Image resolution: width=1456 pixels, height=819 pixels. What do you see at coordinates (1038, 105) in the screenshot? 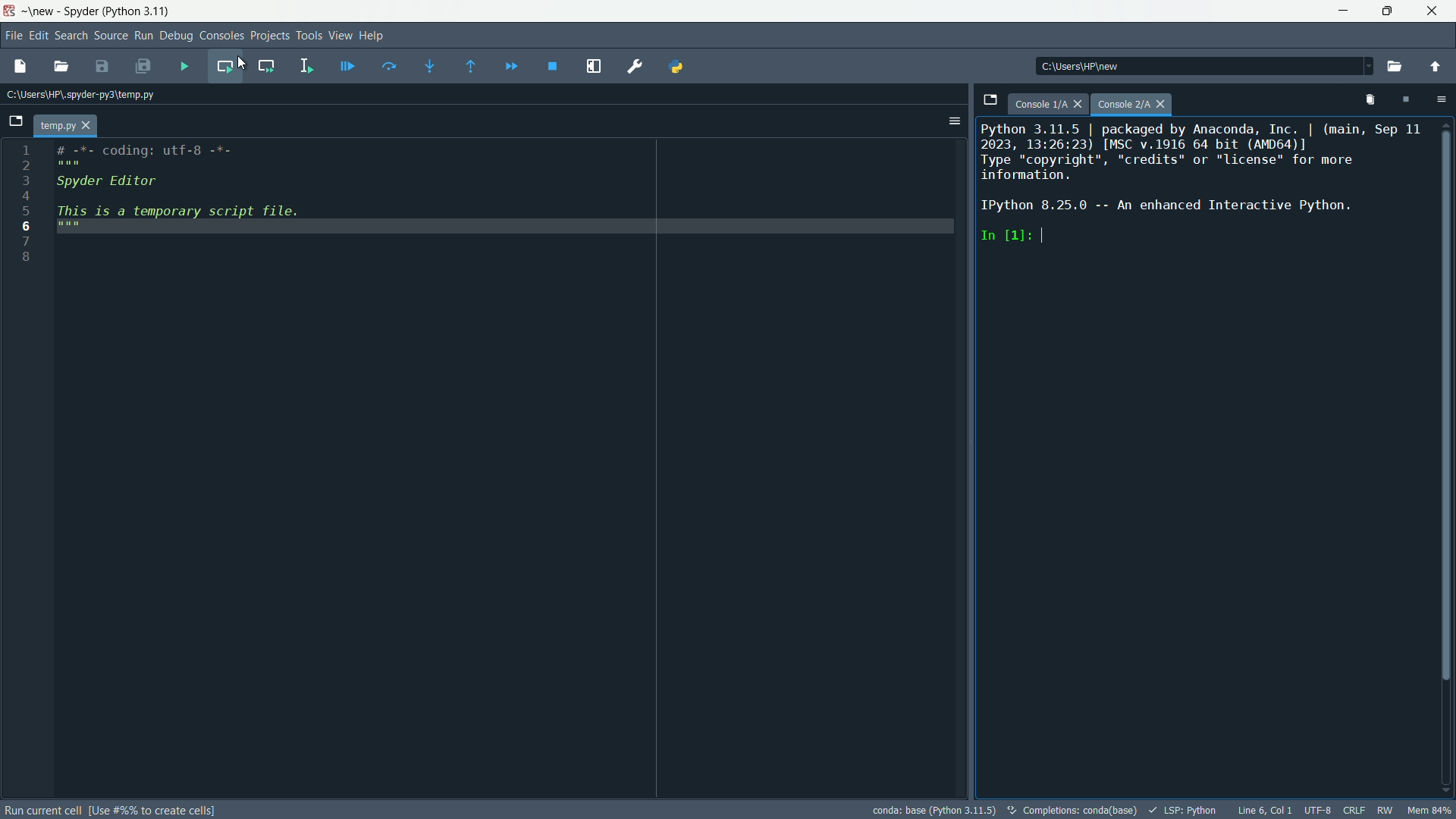
I see `console 1/A` at bounding box center [1038, 105].